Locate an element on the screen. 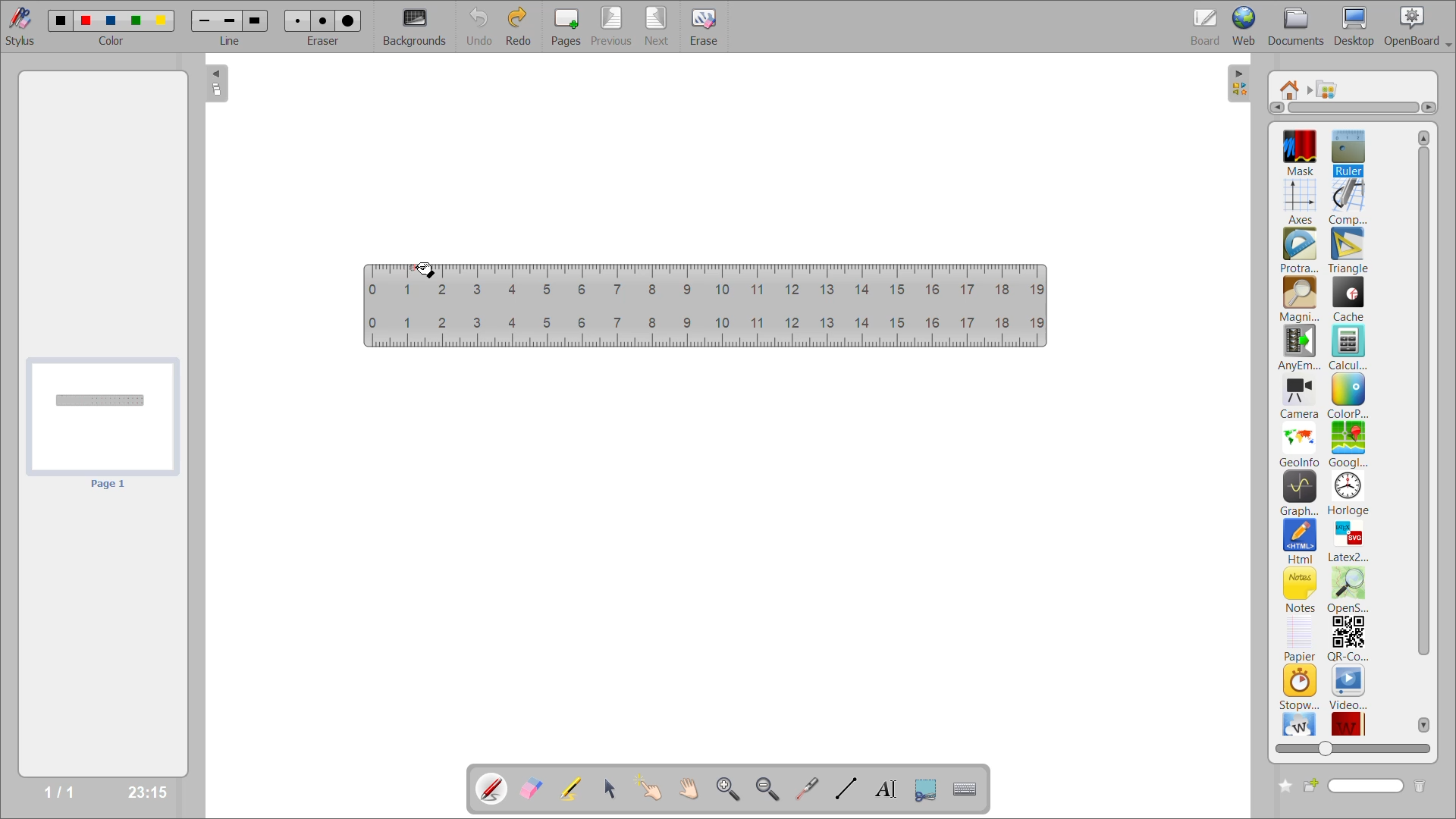  stylus is located at coordinates (17, 24).